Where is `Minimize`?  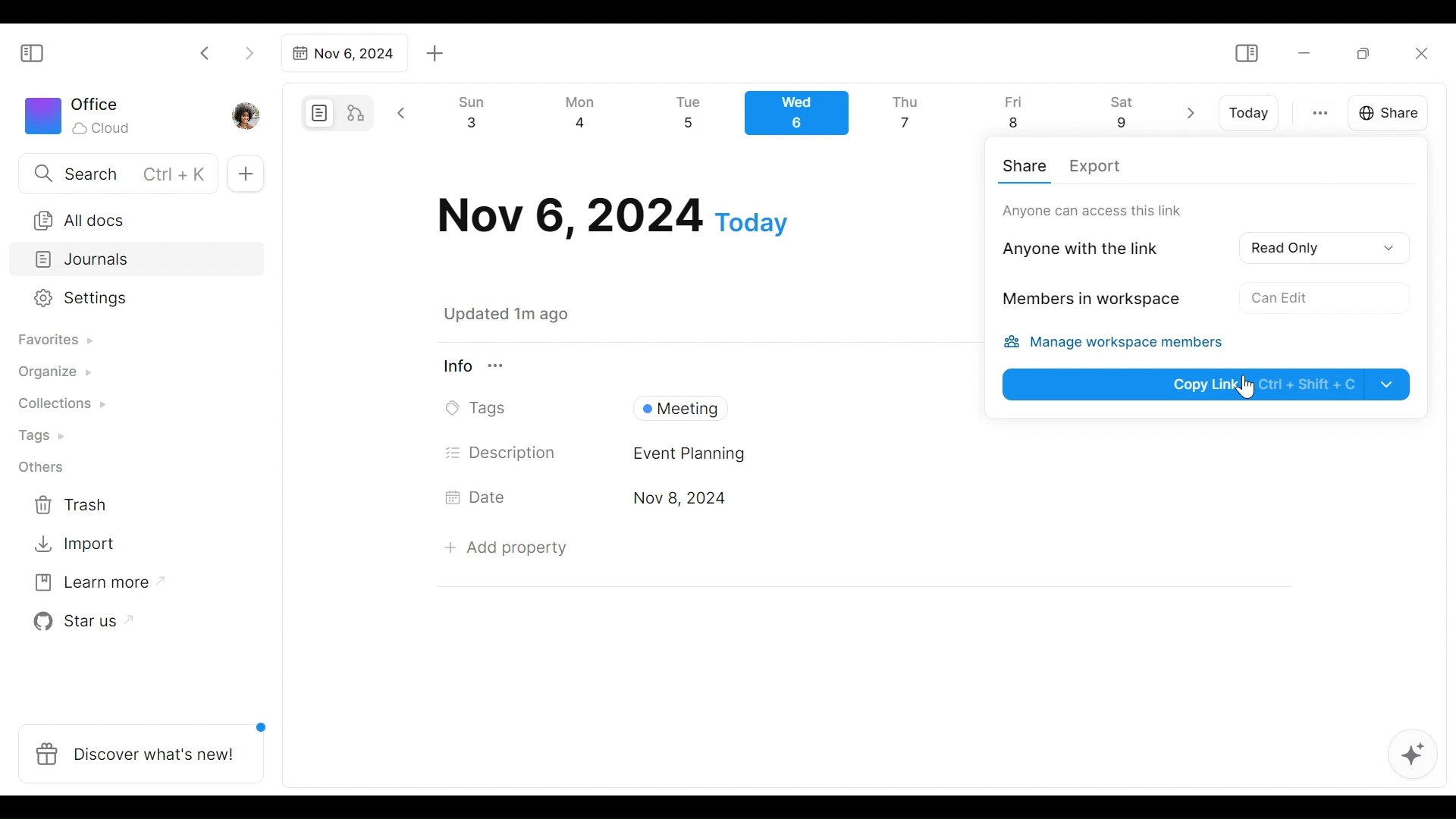
Minimize is located at coordinates (1304, 52).